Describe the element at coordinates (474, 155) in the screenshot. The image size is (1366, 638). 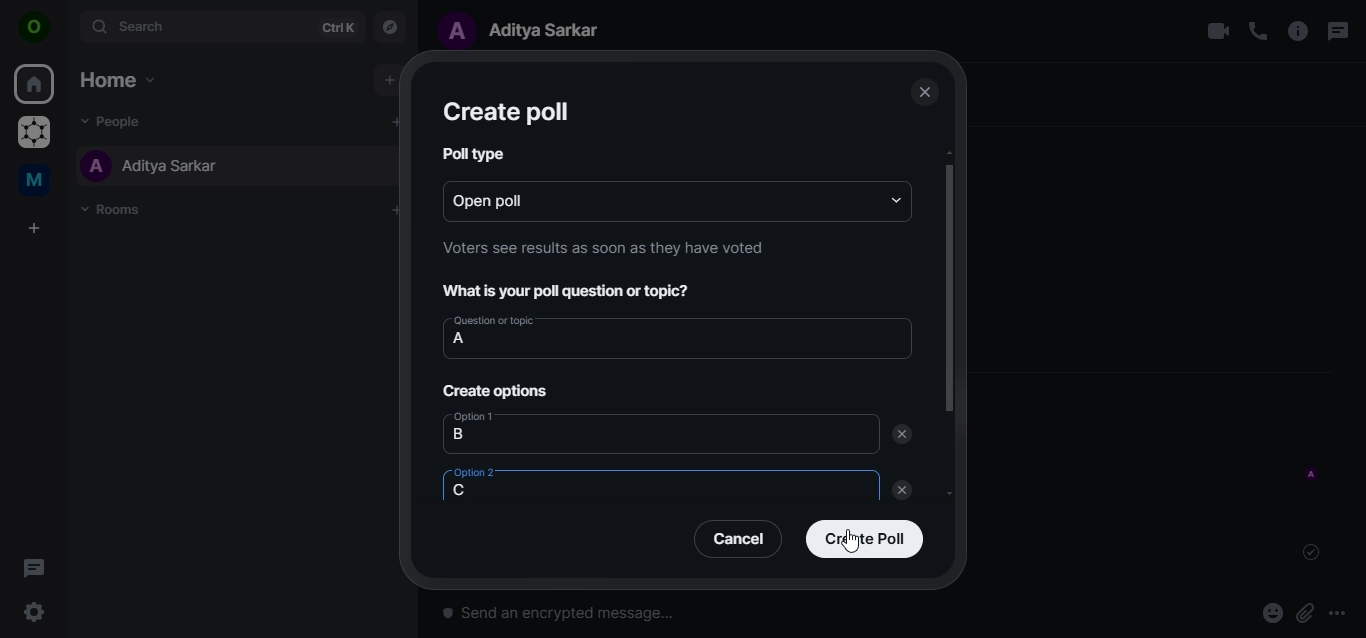
I see `poll type` at that location.